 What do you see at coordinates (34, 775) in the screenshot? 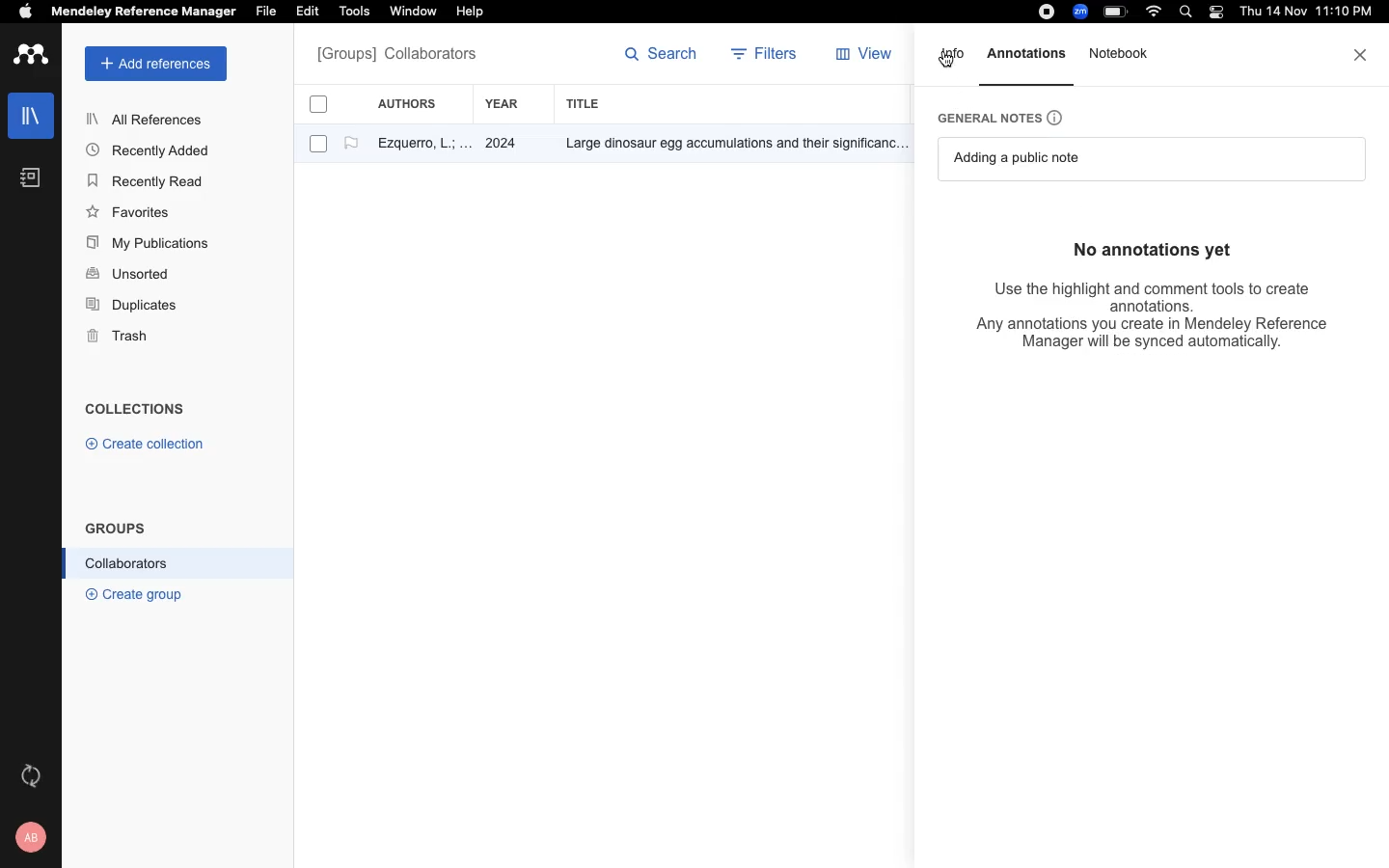
I see `refresh` at bounding box center [34, 775].